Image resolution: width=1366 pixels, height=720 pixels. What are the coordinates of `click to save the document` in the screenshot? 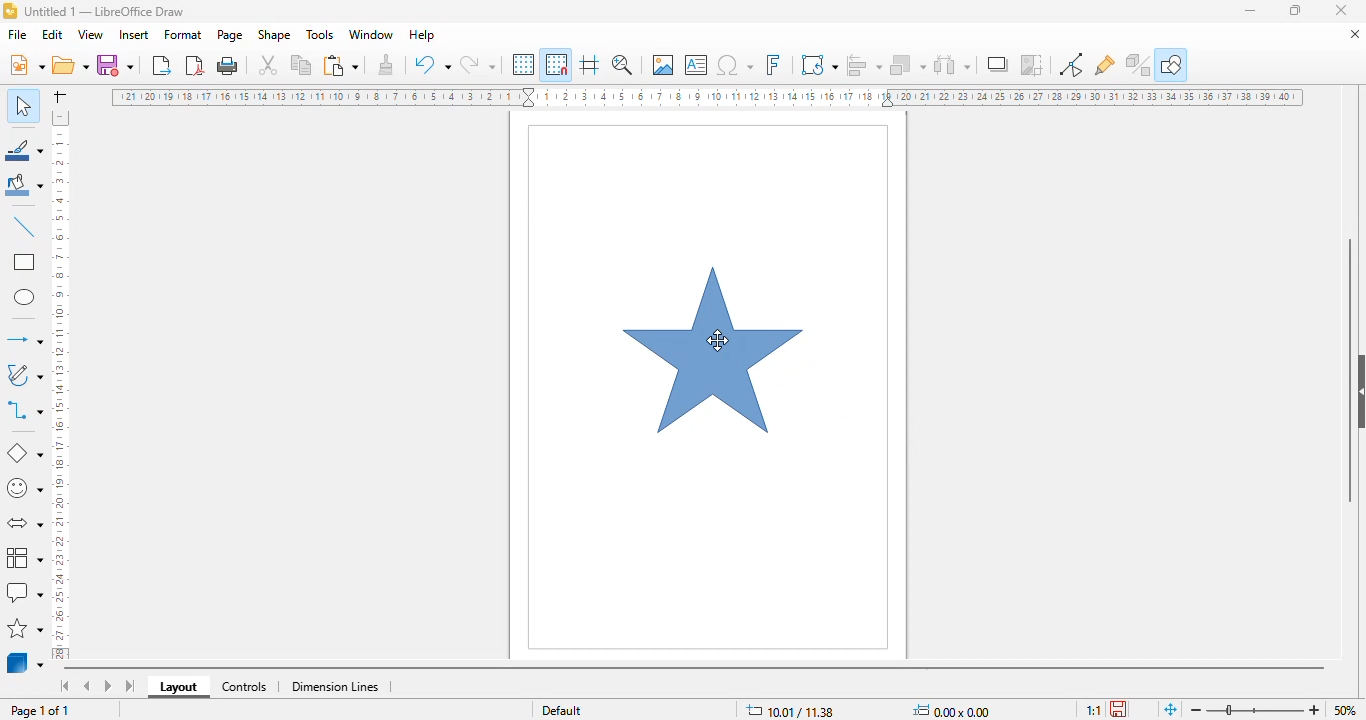 It's located at (1118, 709).